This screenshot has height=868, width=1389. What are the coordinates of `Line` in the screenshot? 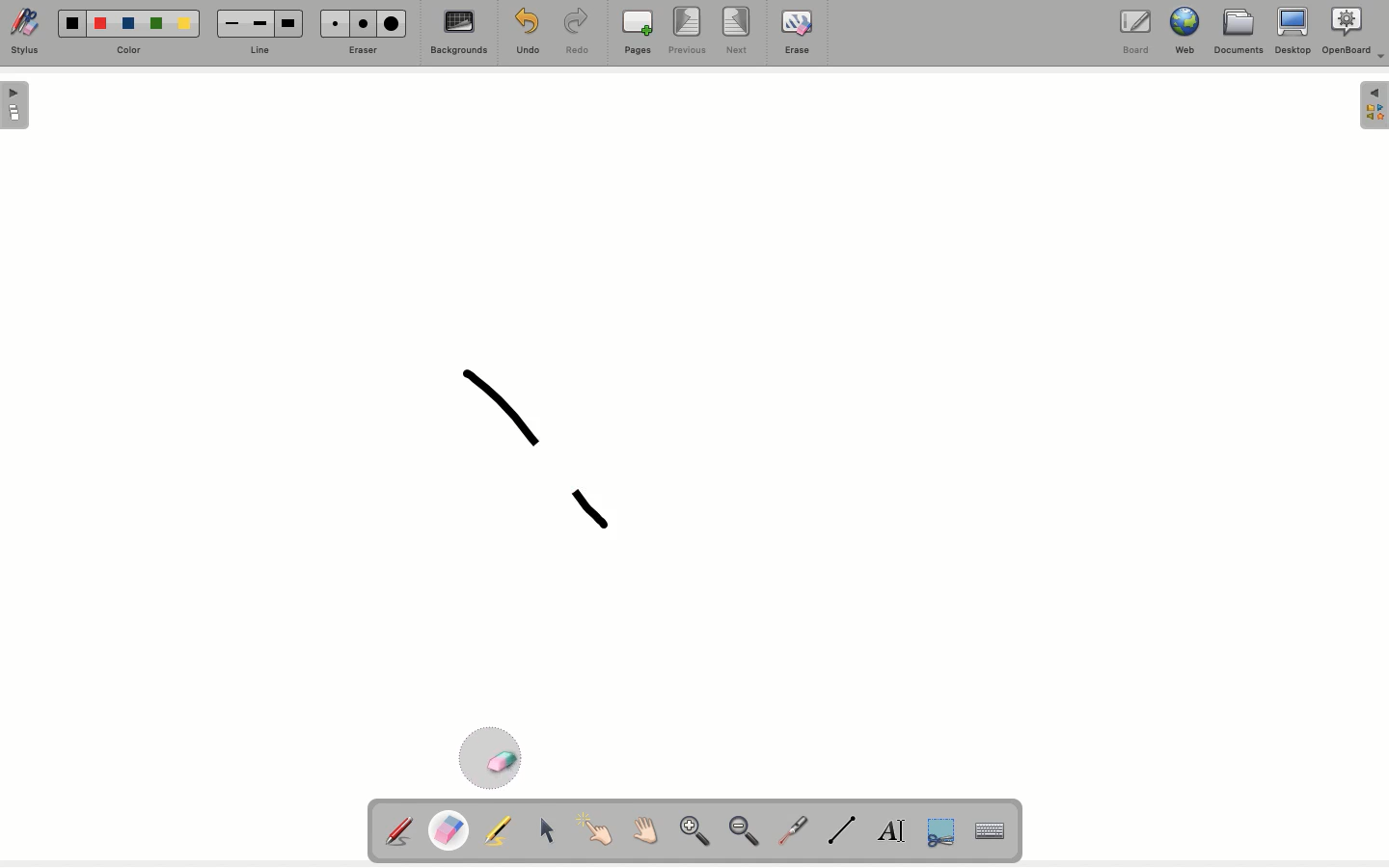 It's located at (844, 831).